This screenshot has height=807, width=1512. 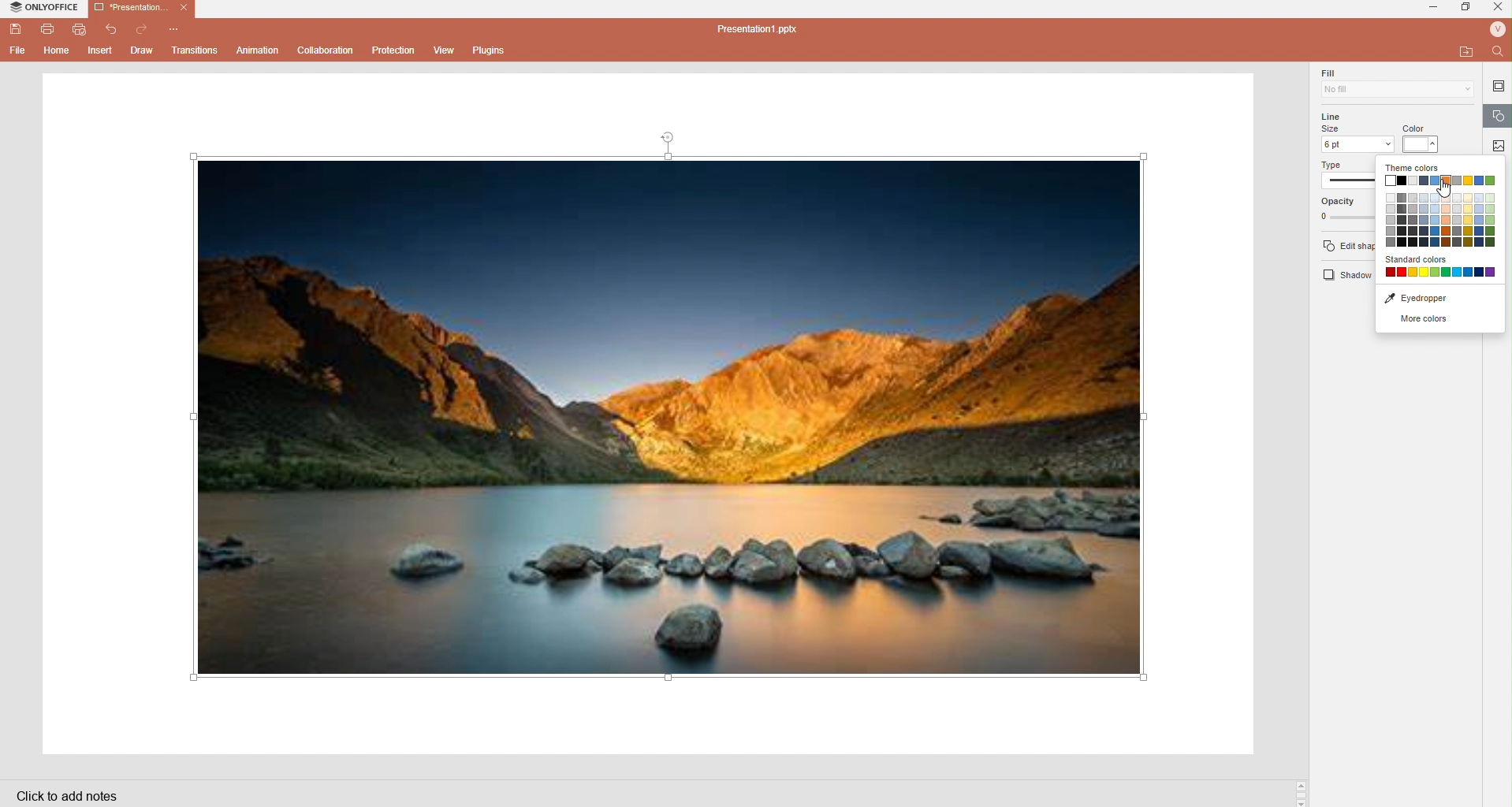 What do you see at coordinates (16, 52) in the screenshot?
I see `File` at bounding box center [16, 52].